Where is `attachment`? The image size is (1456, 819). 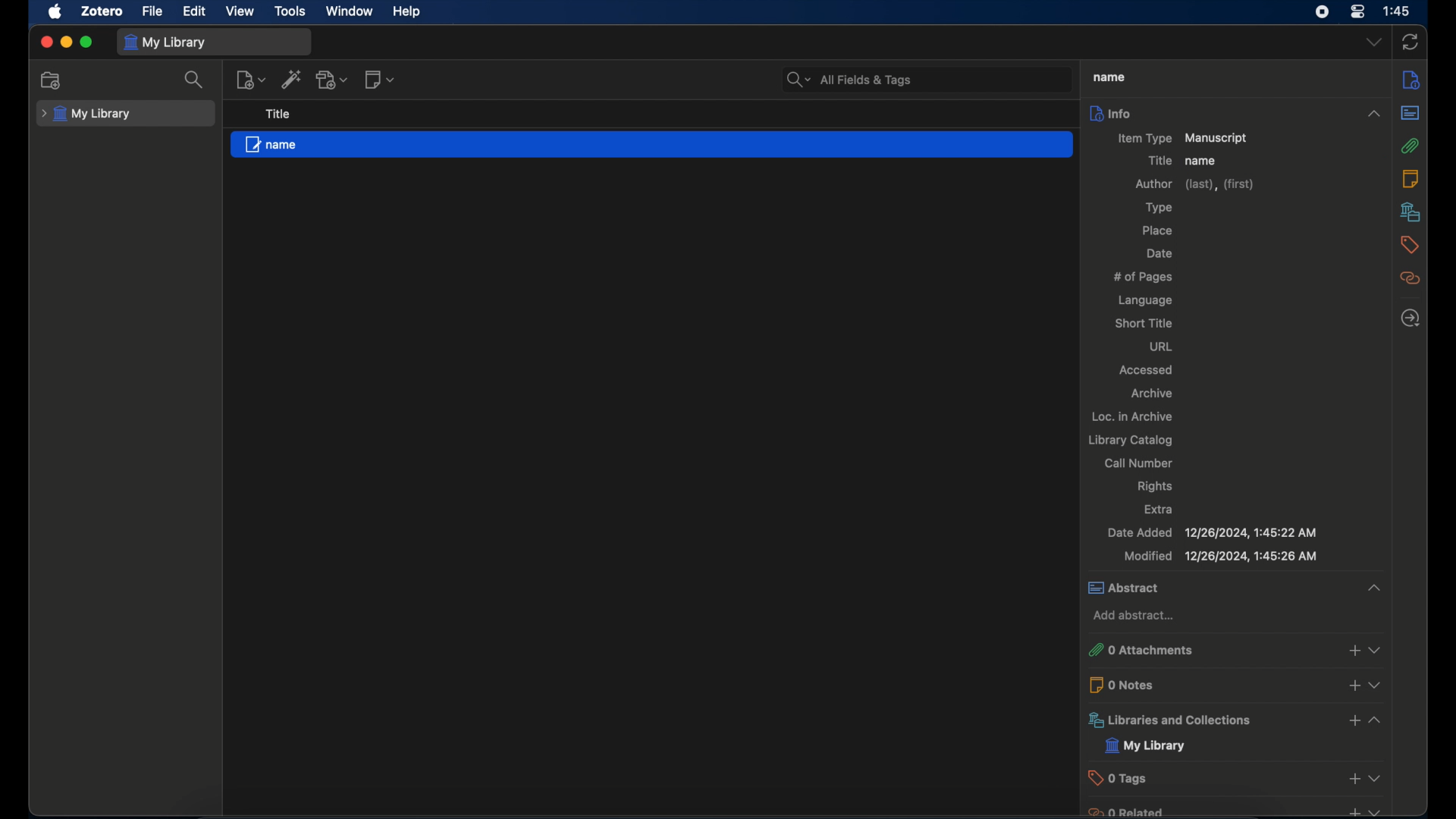 attachment is located at coordinates (1410, 146).